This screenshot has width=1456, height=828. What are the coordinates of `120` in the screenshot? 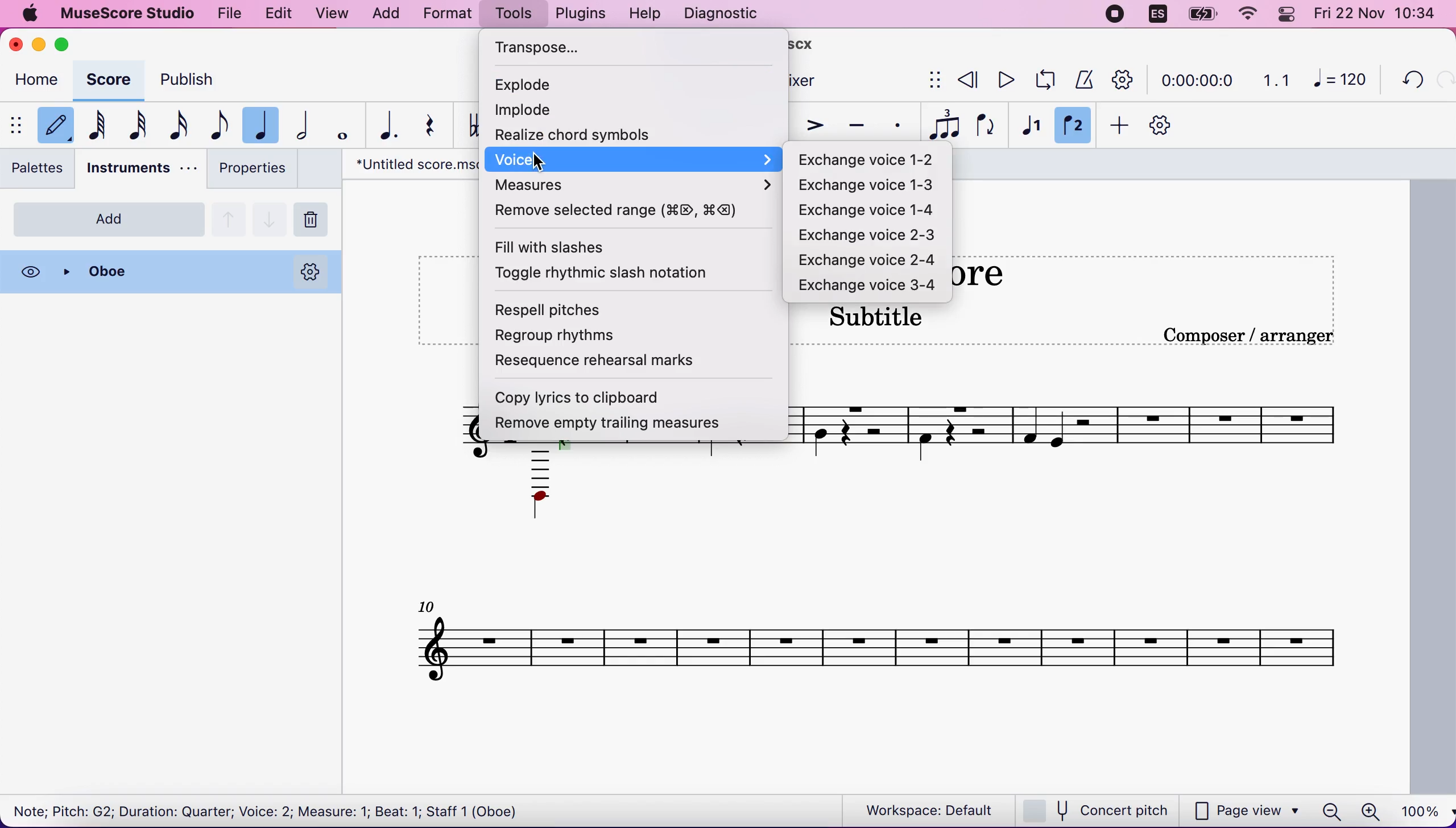 It's located at (1341, 78).